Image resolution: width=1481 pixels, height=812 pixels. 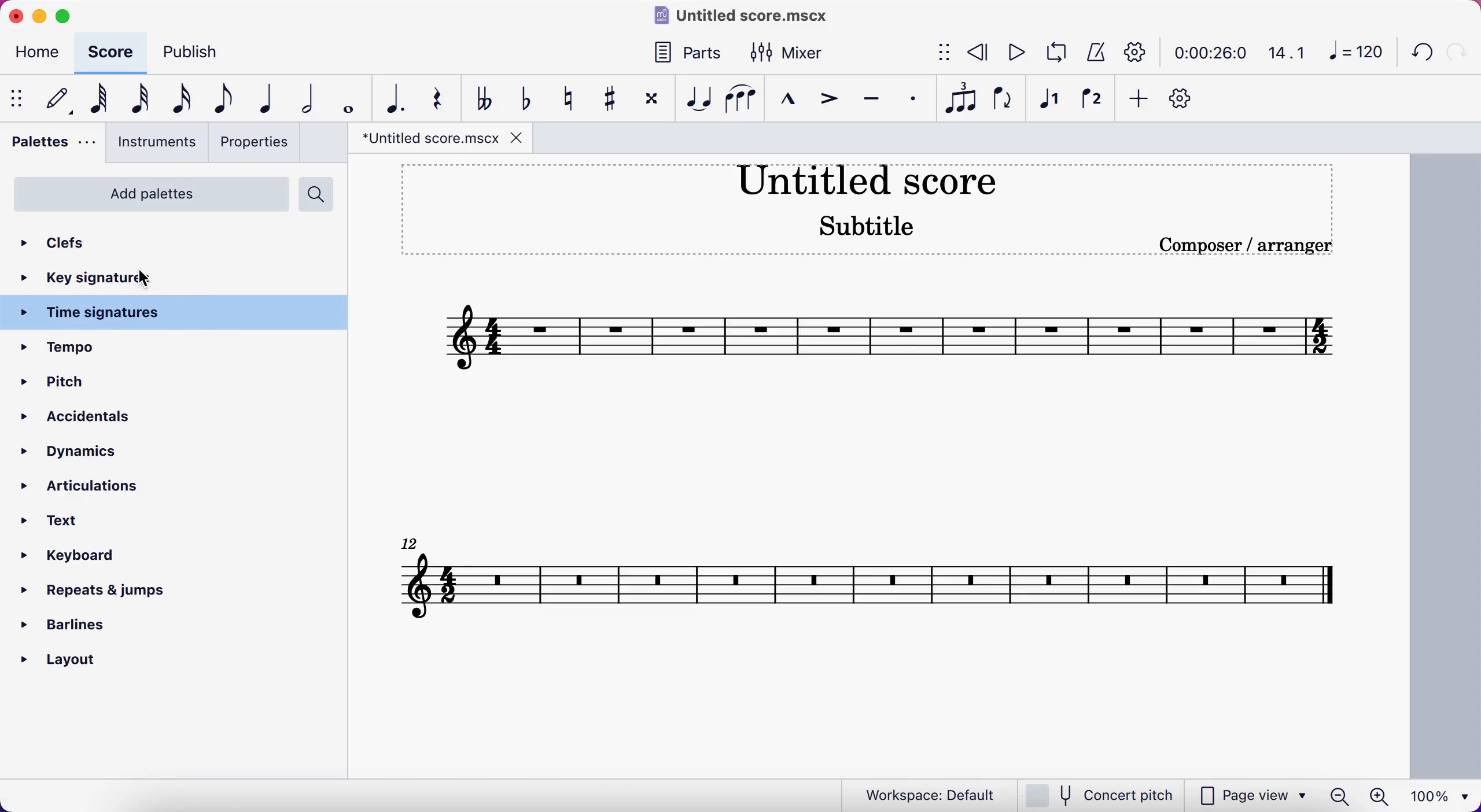 I want to click on key signature, so click(x=85, y=278).